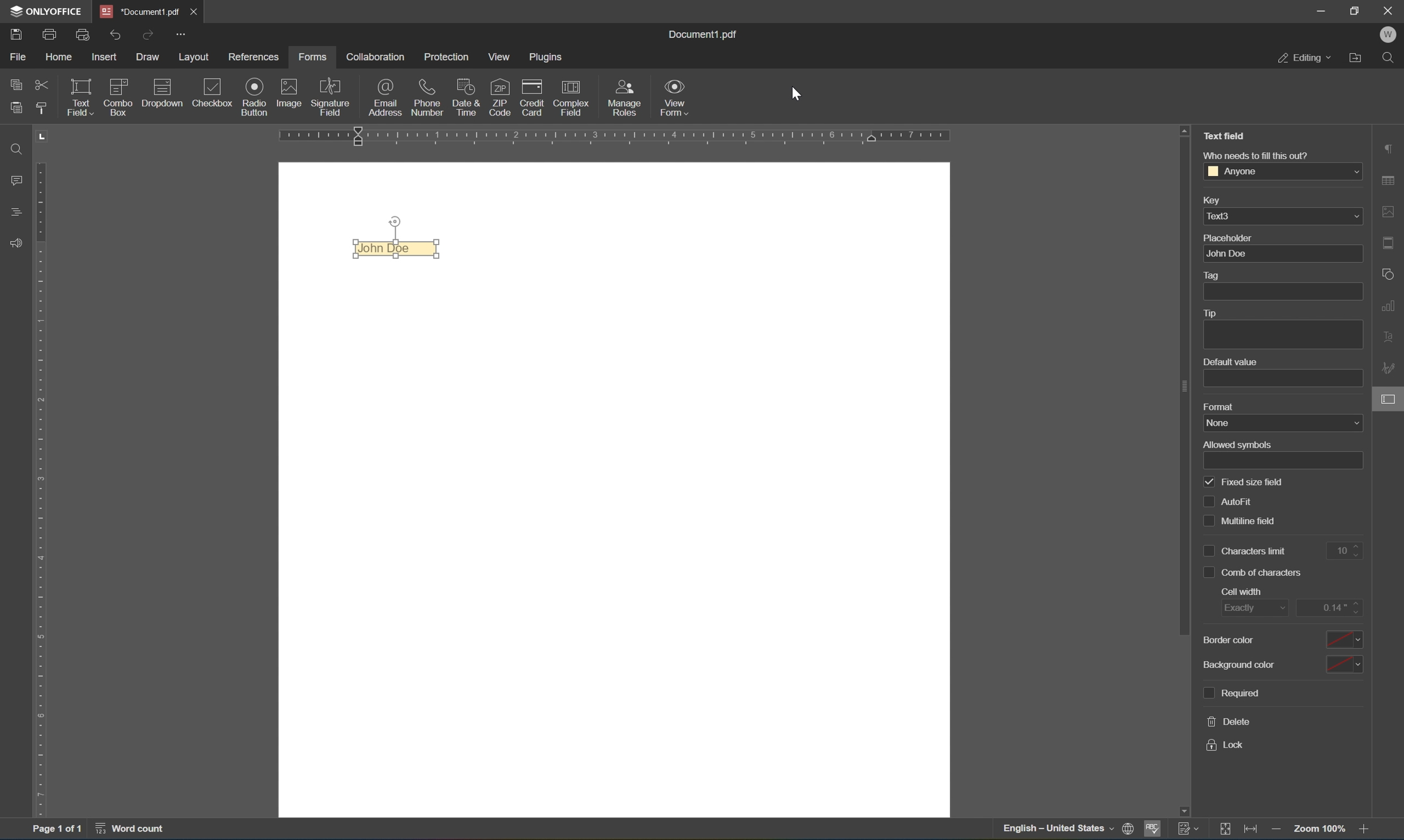 Image resolution: width=1404 pixels, height=840 pixels. I want to click on plugins, so click(546, 57).